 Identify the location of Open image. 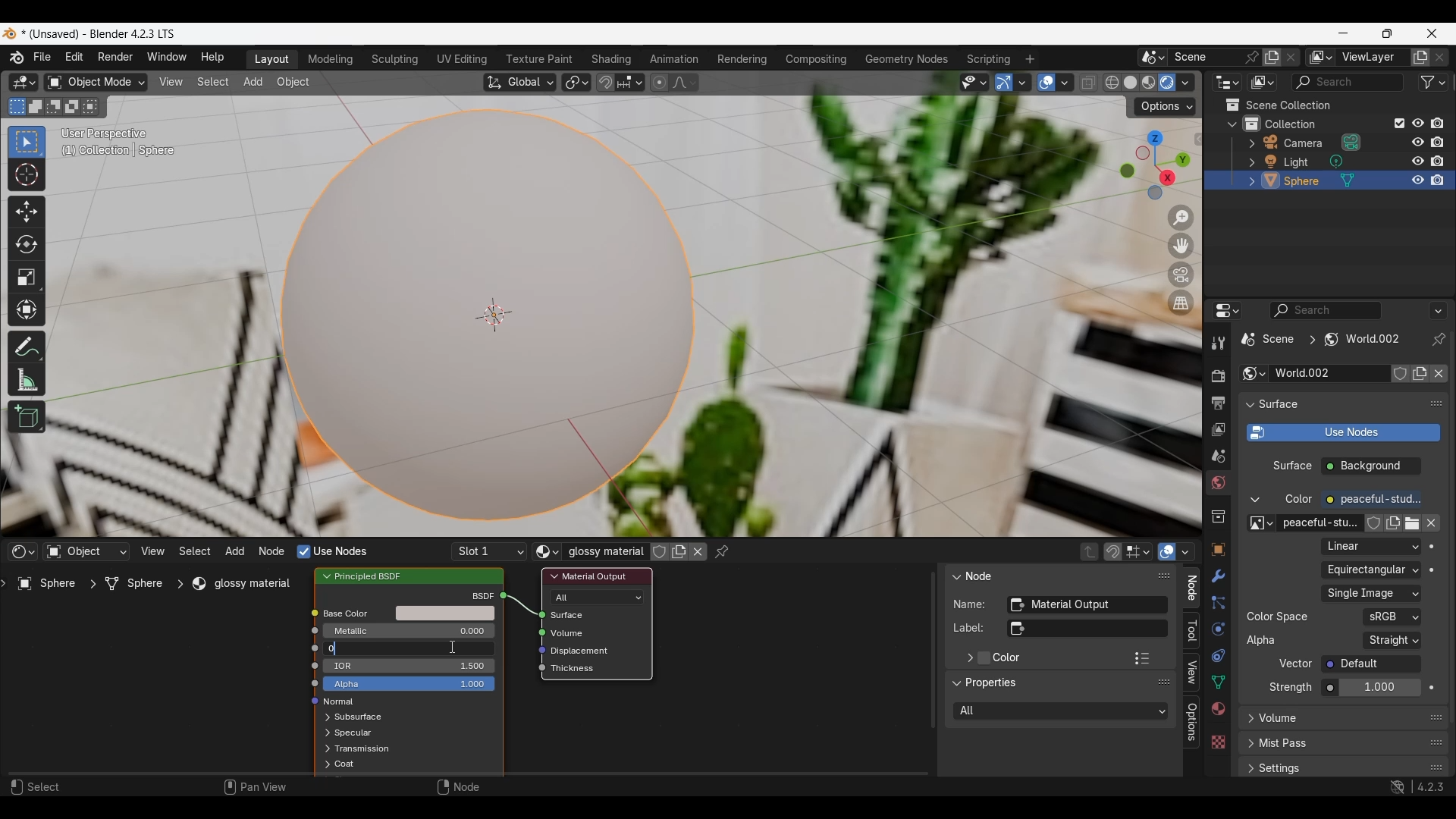
(1411, 523).